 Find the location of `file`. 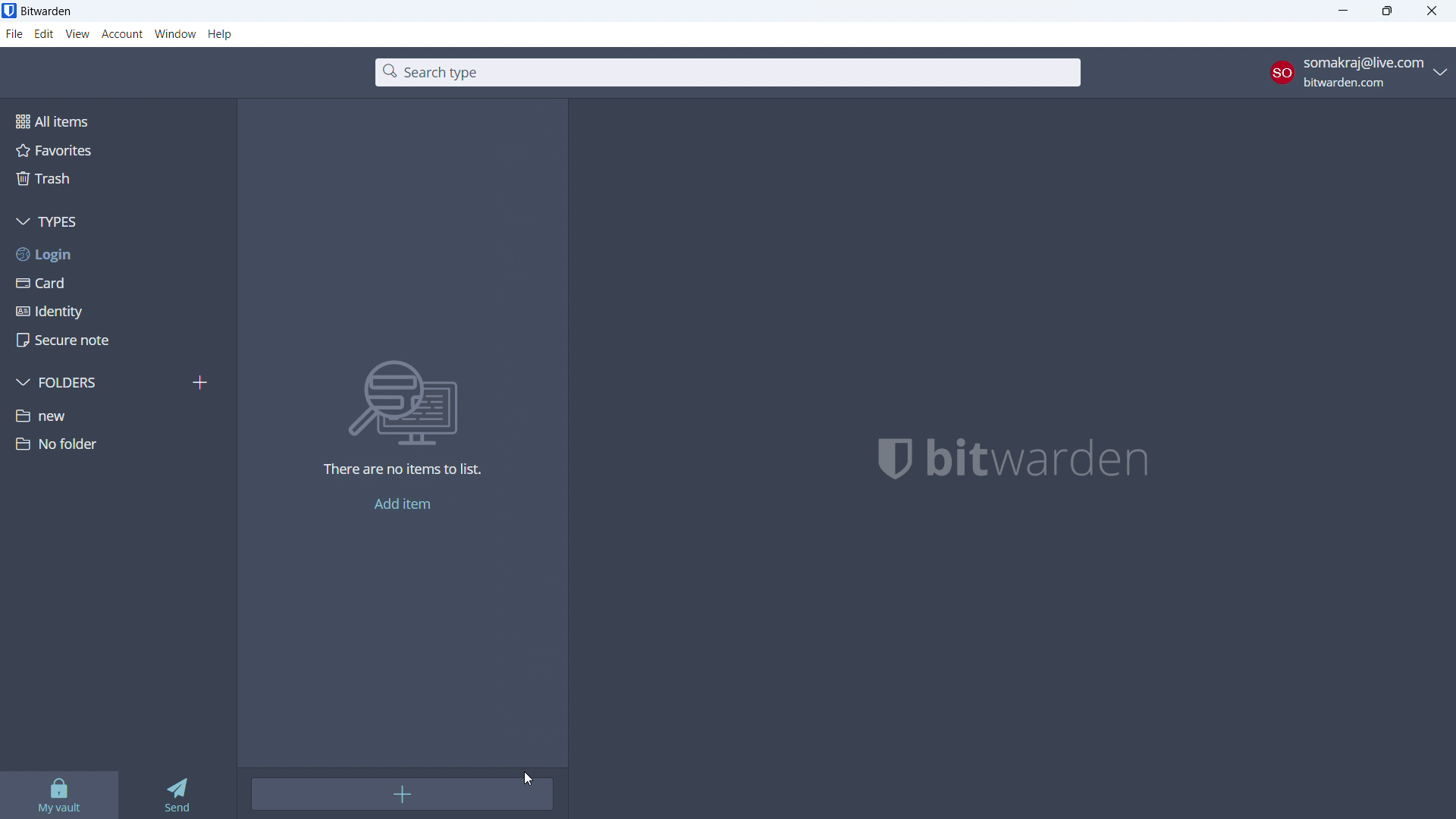

file is located at coordinates (14, 34).